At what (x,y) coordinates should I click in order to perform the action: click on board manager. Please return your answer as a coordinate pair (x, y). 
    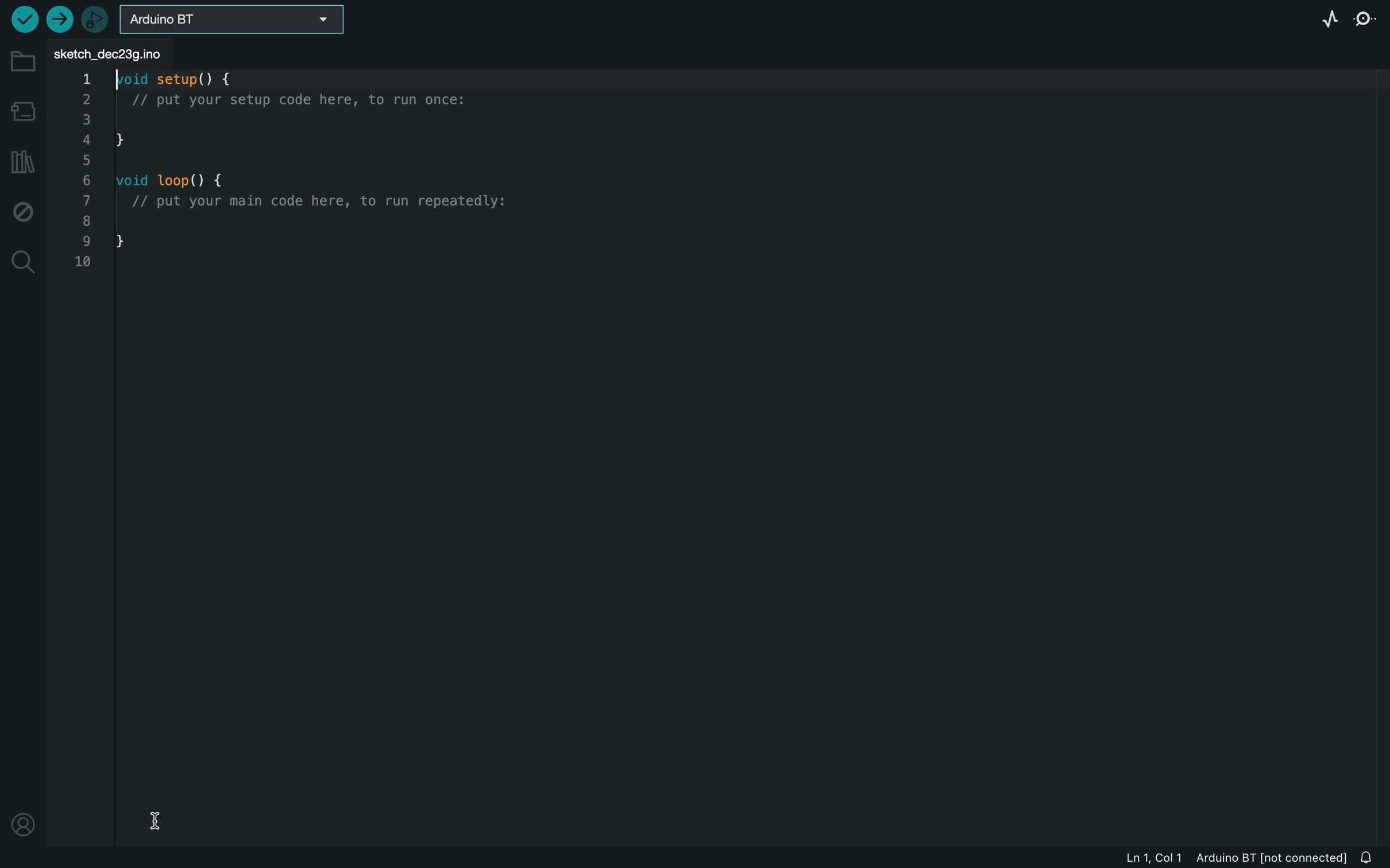
    Looking at the image, I should click on (23, 111).